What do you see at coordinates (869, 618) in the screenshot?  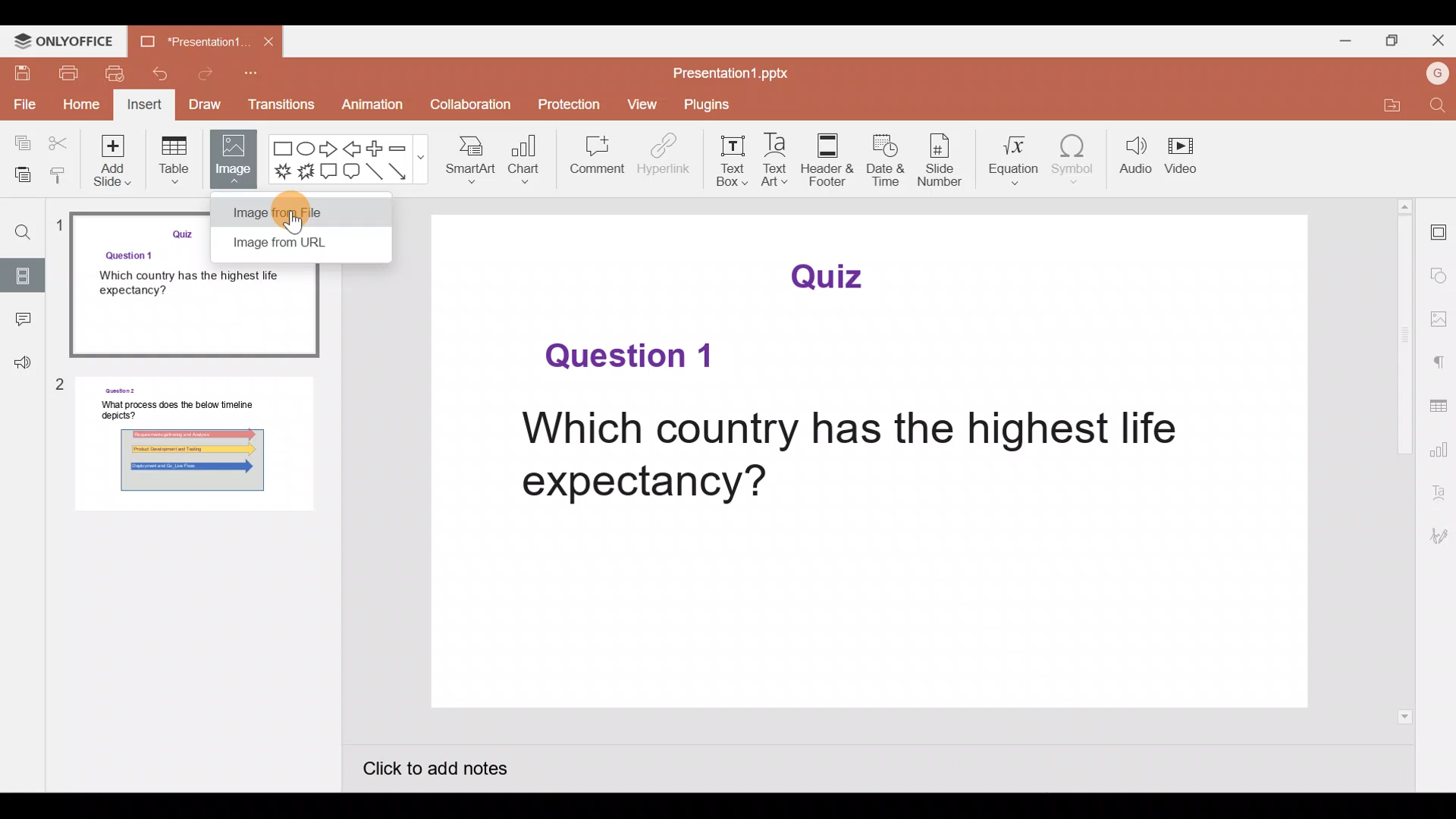 I see `Presentation slide` at bounding box center [869, 618].